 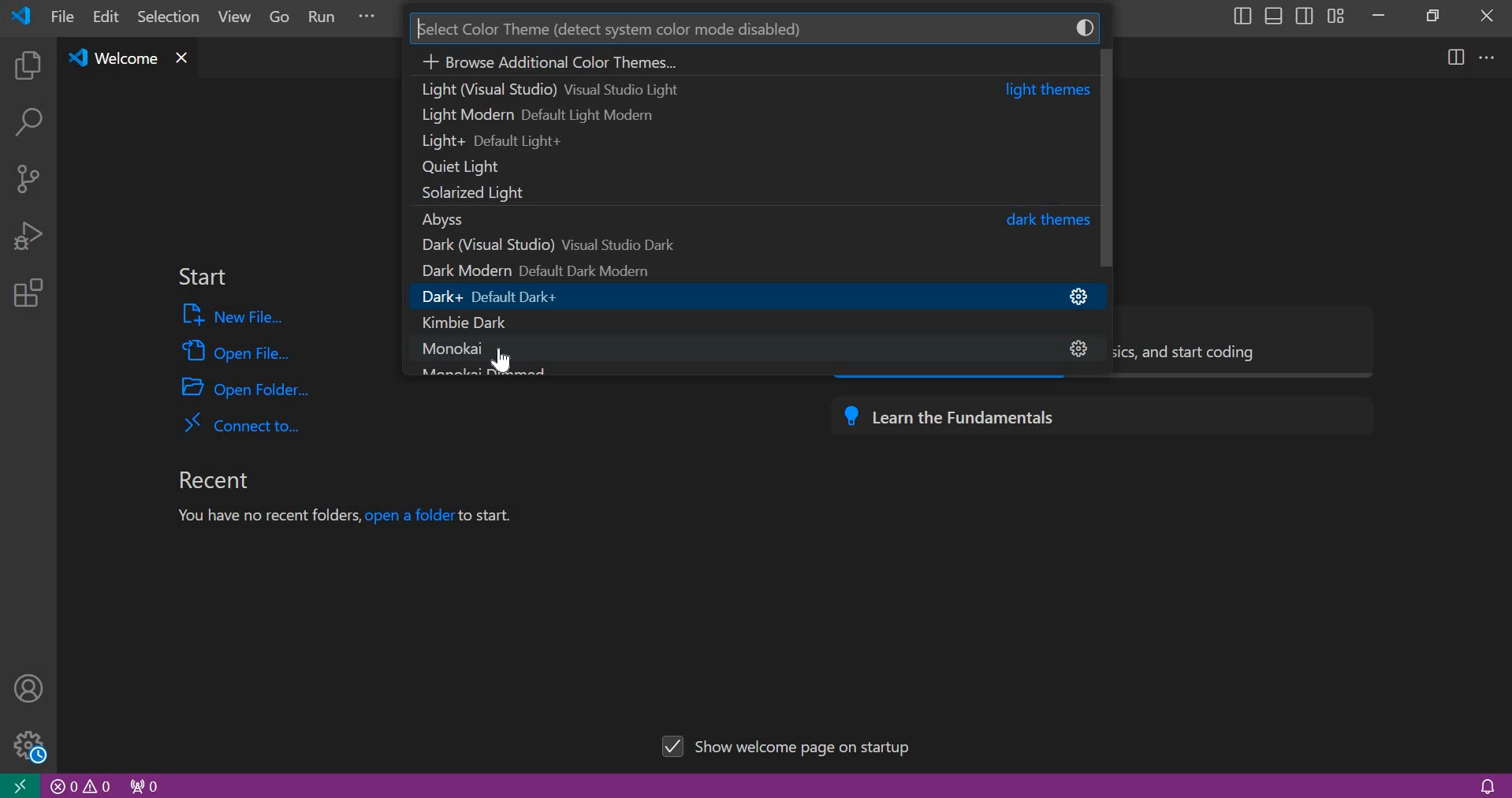 What do you see at coordinates (738, 195) in the screenshot?
I see `solarized light` at bounding box center [738, 195].